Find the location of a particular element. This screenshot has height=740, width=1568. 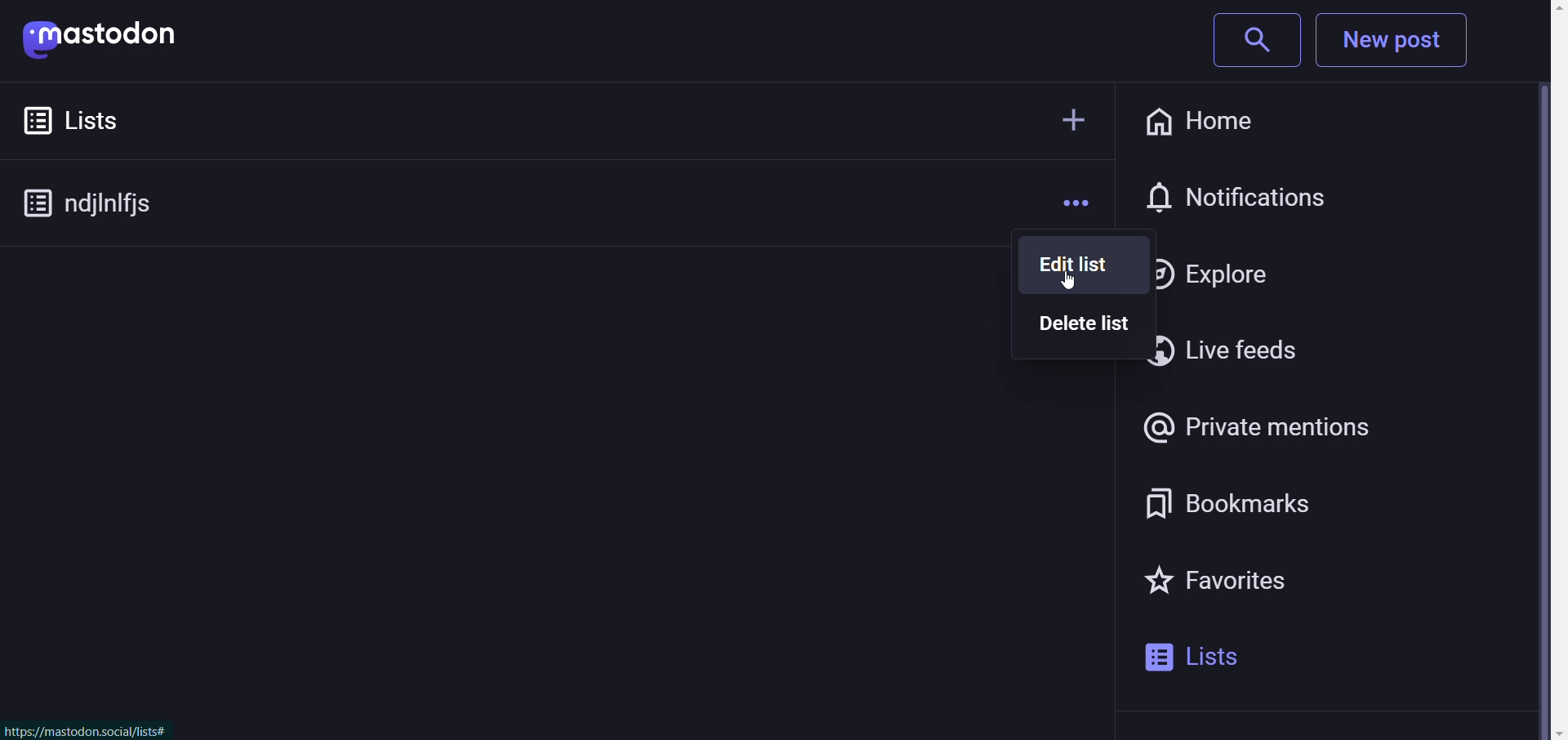

home is located at coordinates (1211, 121).